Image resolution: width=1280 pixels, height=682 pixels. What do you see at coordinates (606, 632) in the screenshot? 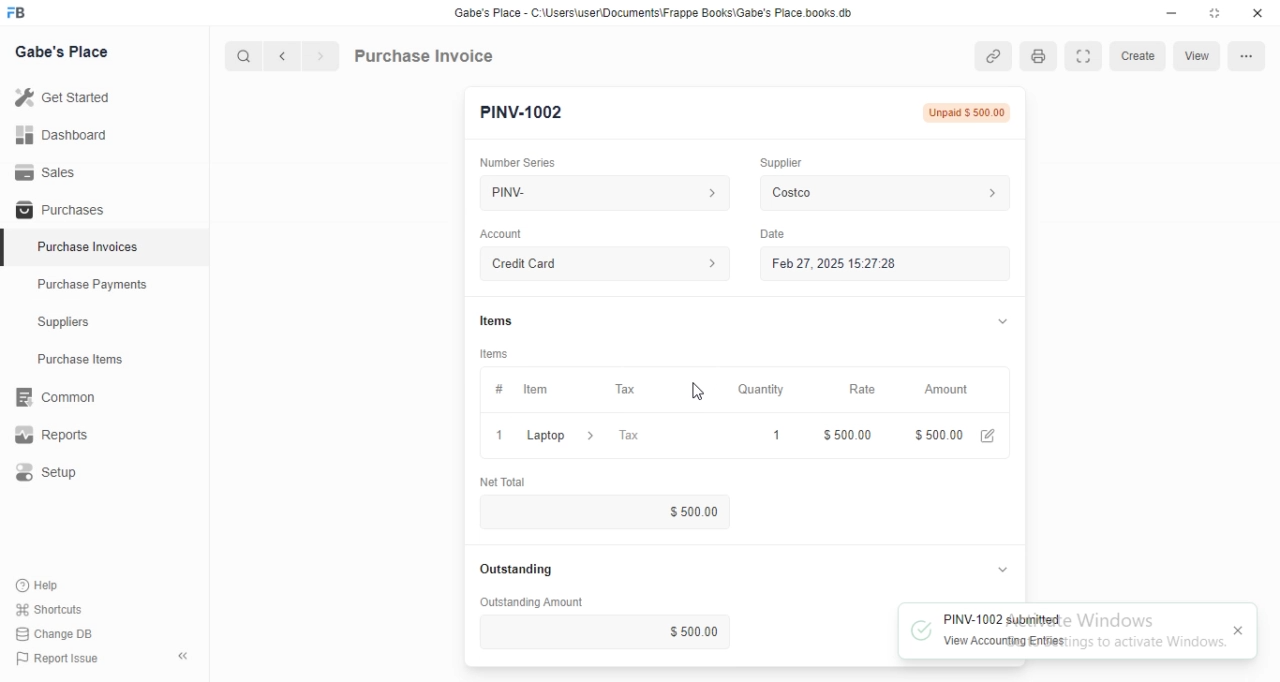
I see `$ 500.00` at bounding box center [606, 632].